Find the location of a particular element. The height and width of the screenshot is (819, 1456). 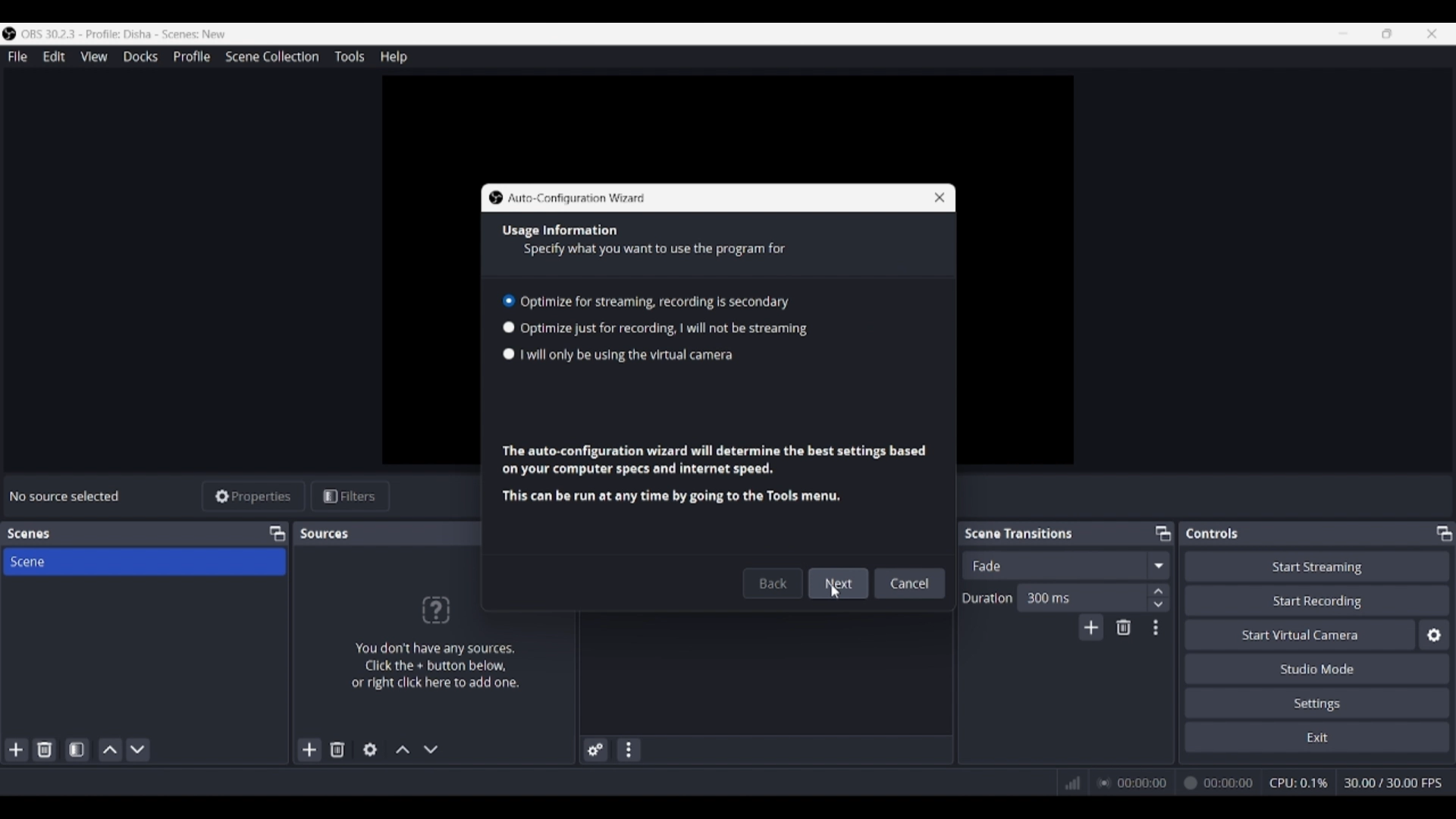

Transition properties is located at coordinates (1156, 628).